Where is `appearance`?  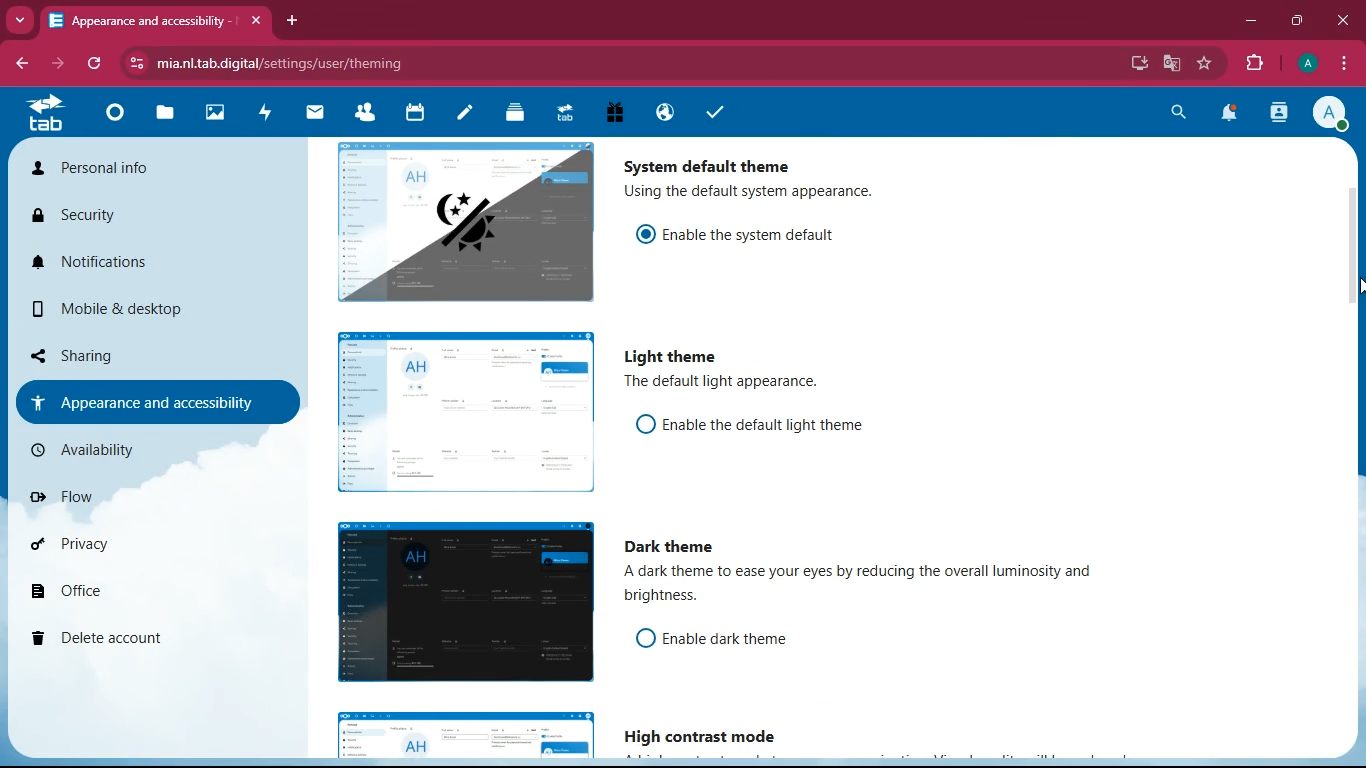
appearance is located at coordinates (148, 402).